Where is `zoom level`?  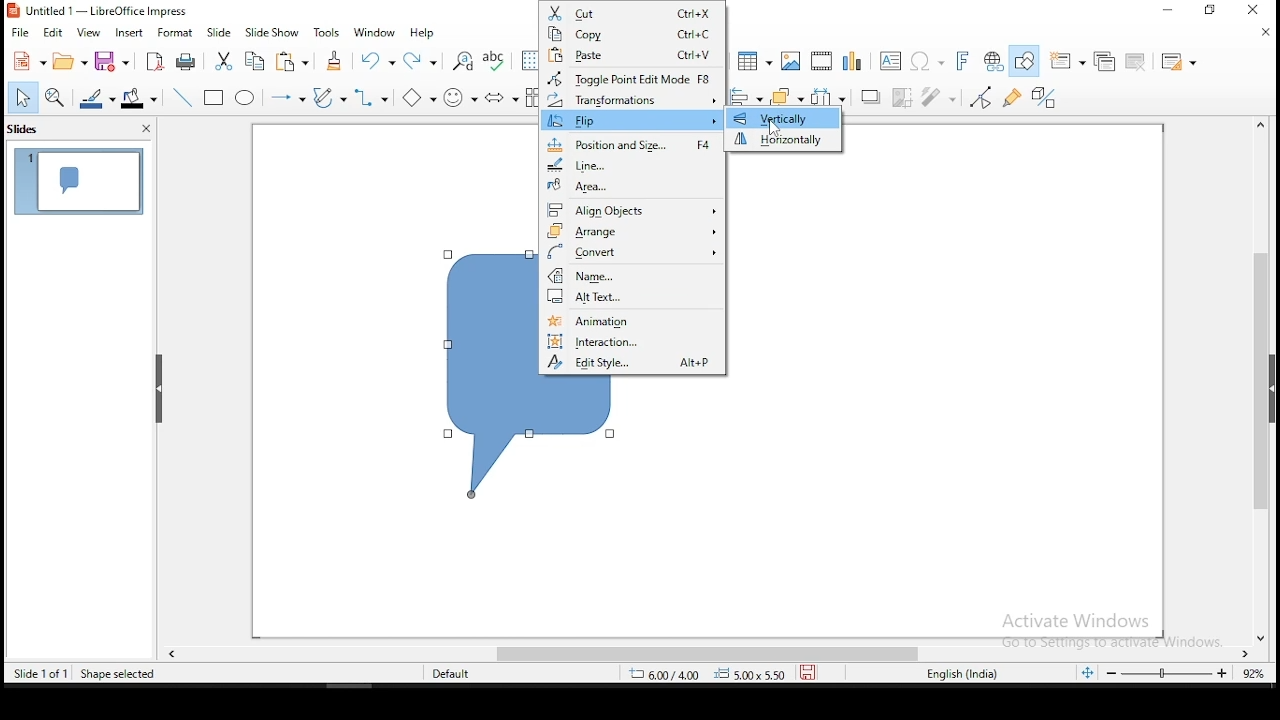
zoom level is located at coordinates (1251, 672).